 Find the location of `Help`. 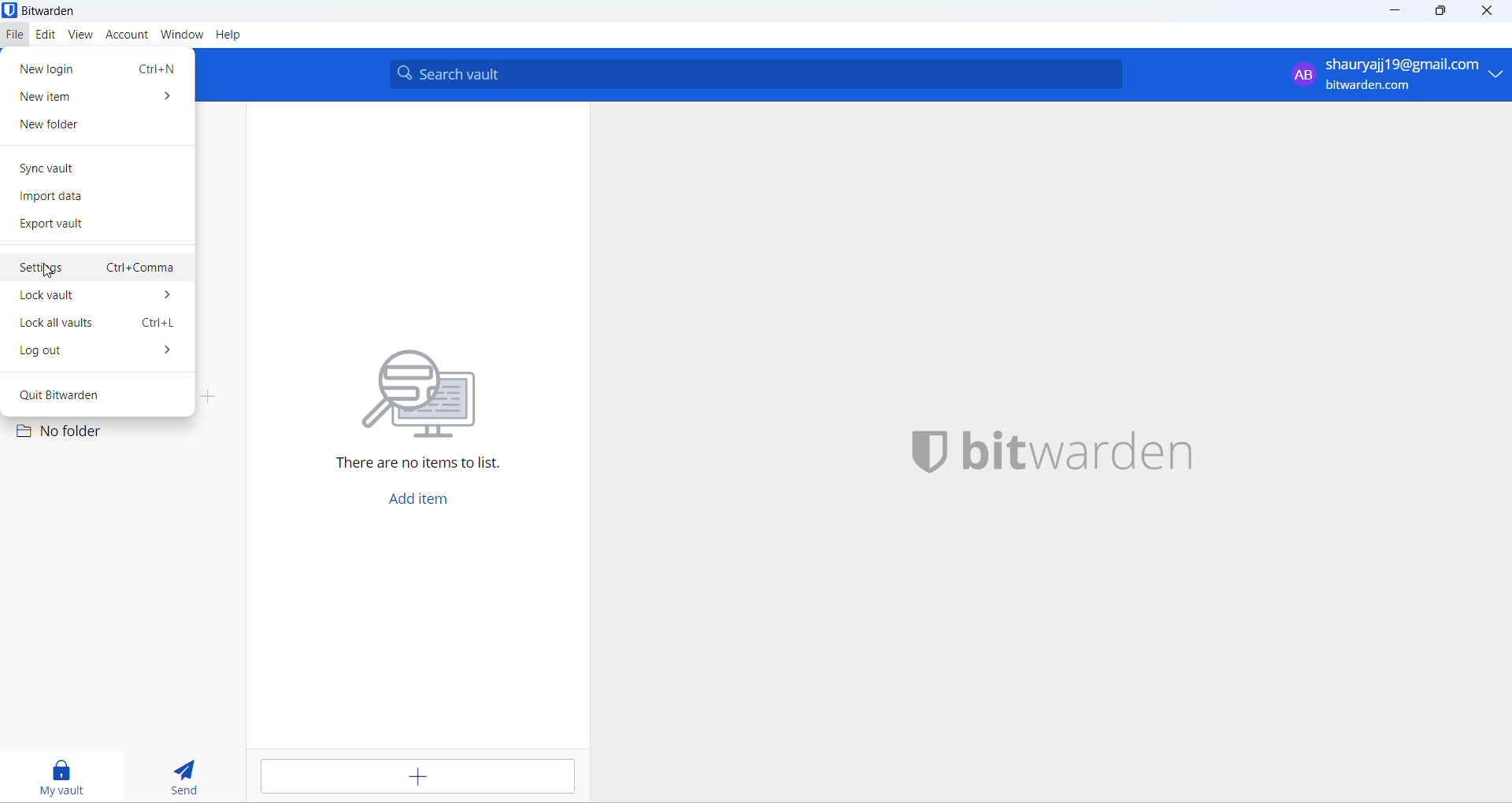

Help is located at coordinates (228, 35).